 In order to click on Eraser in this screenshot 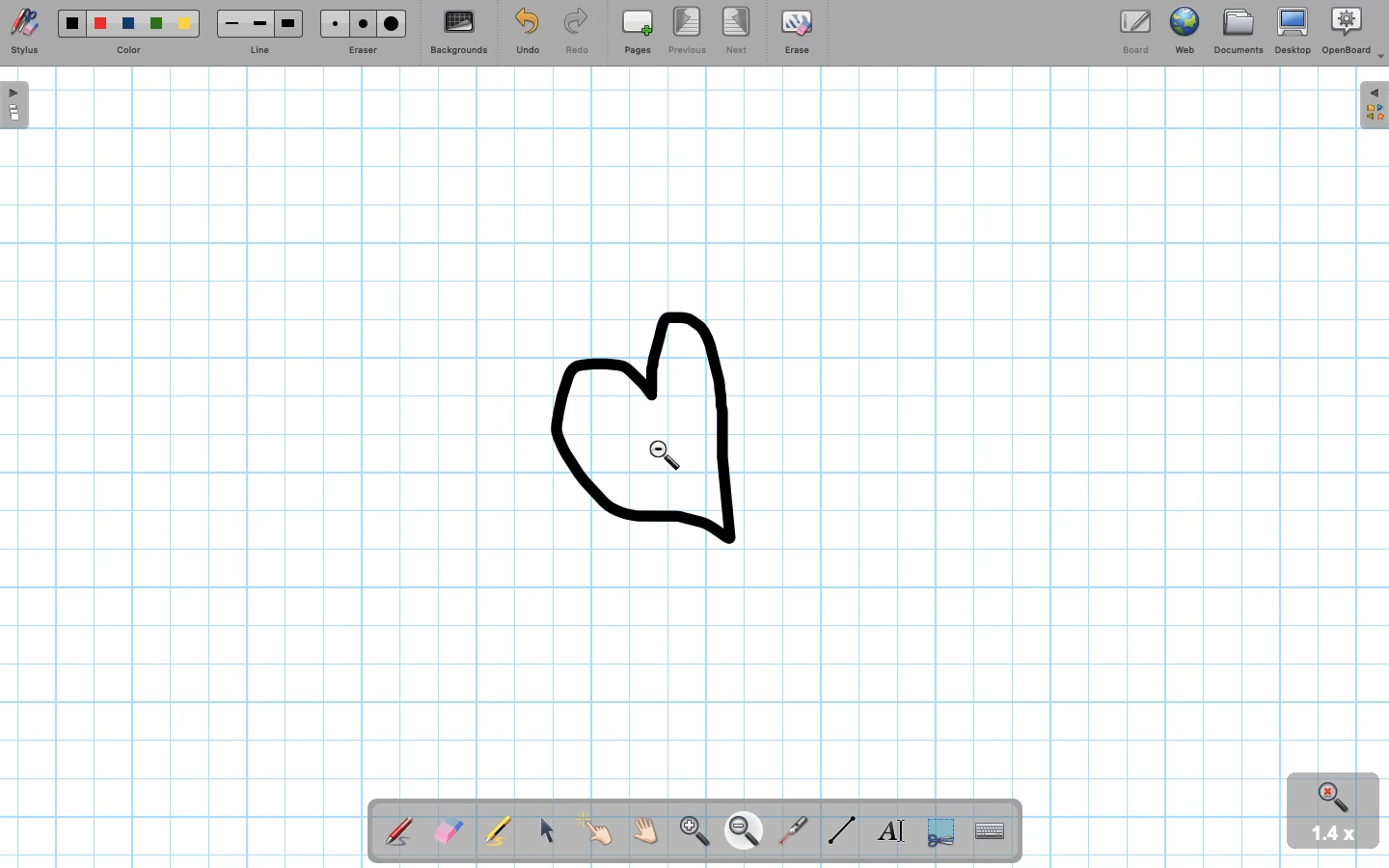, I will do `click(364, 31)`.